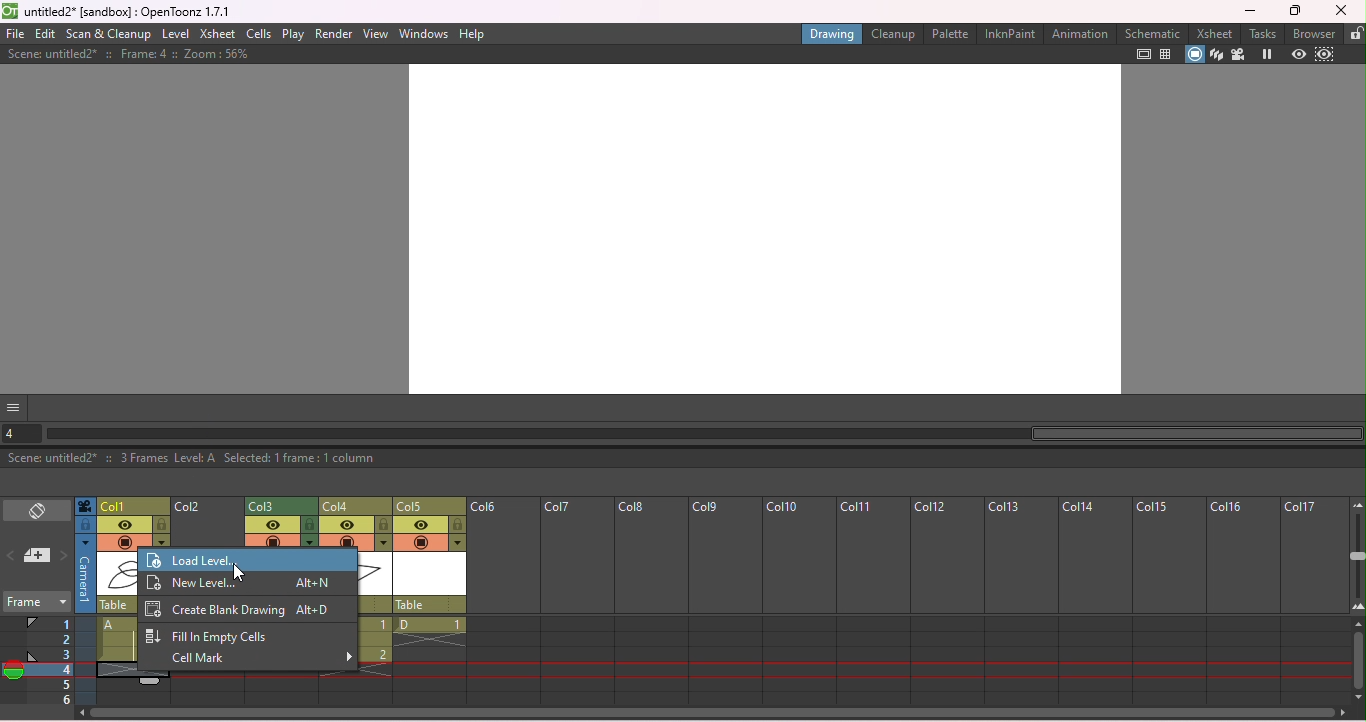  I want to click on Previous memo, so click(12, 558).